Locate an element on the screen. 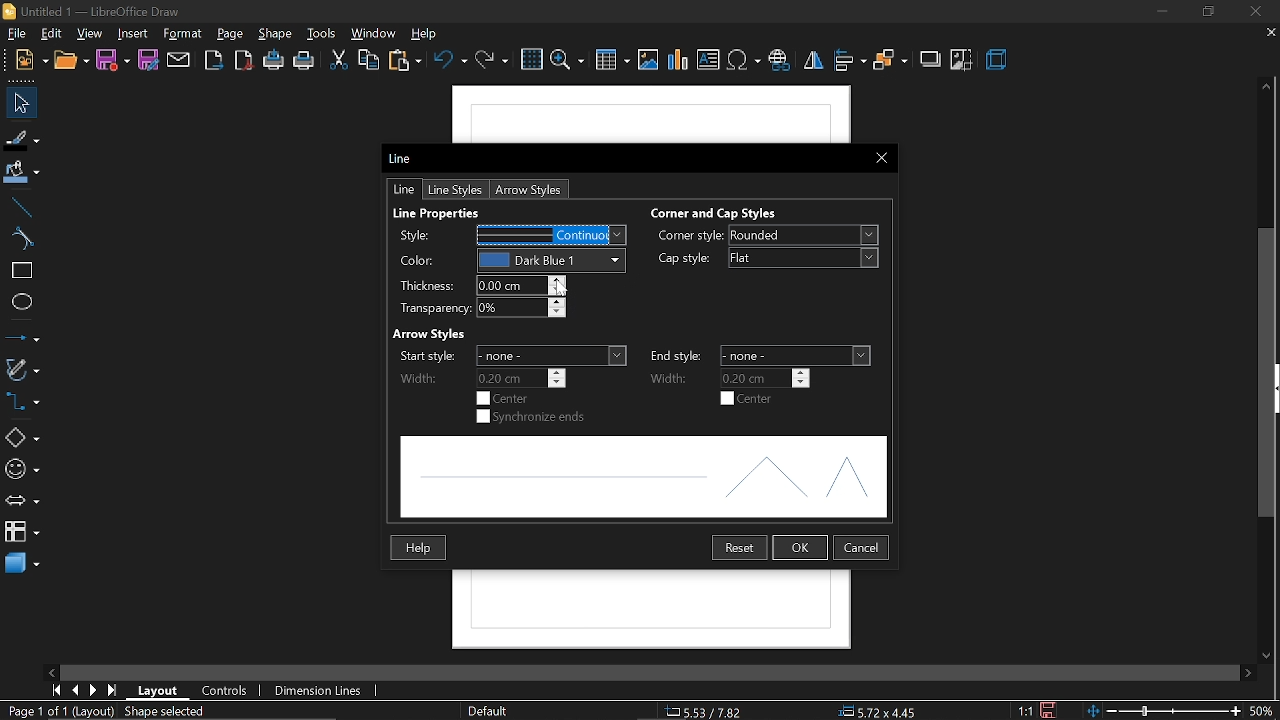  3d effect is located at coordinates (998, 61).